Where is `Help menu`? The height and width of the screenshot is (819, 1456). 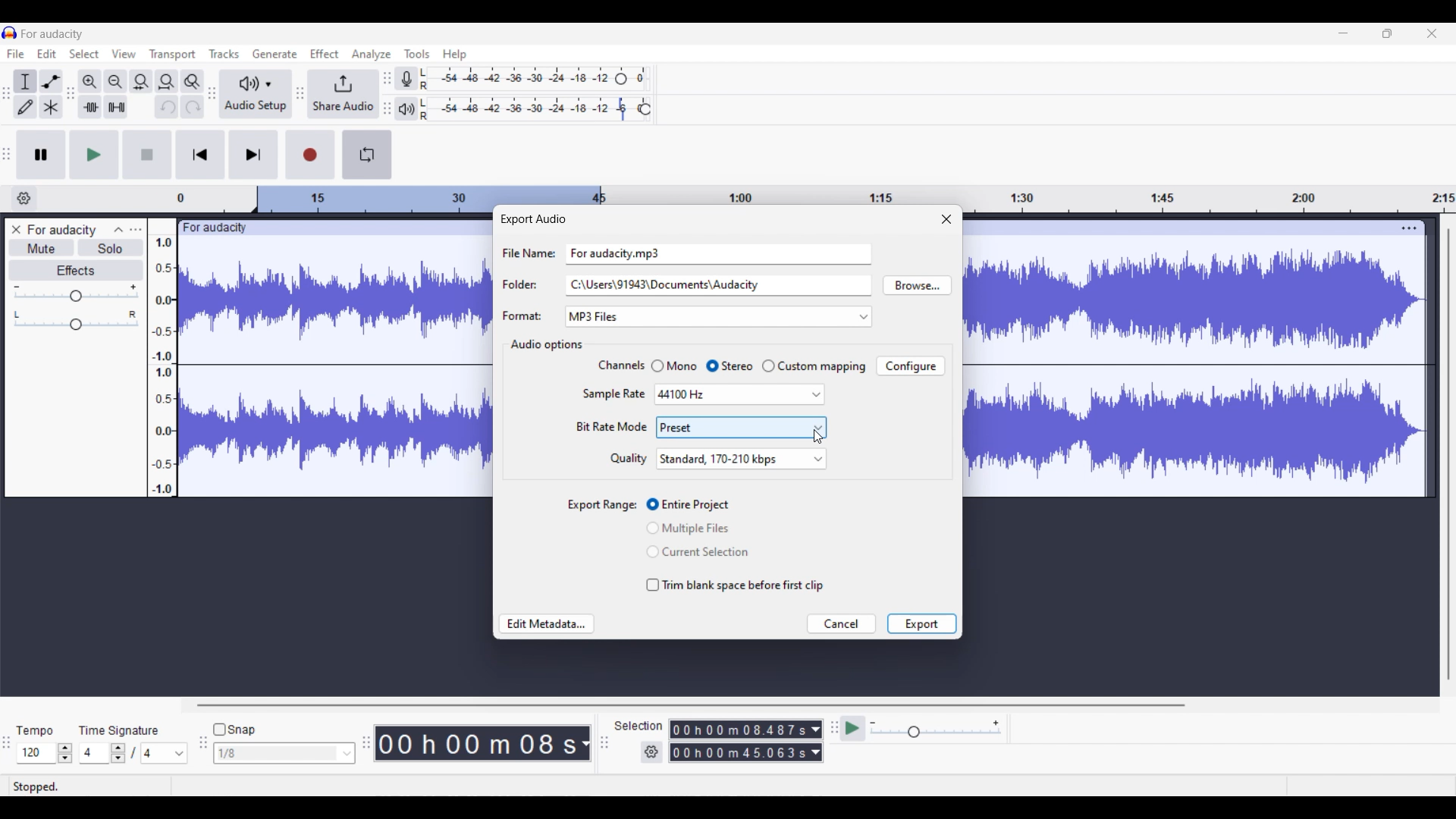
Help menu is located at coordinates (455, 55).